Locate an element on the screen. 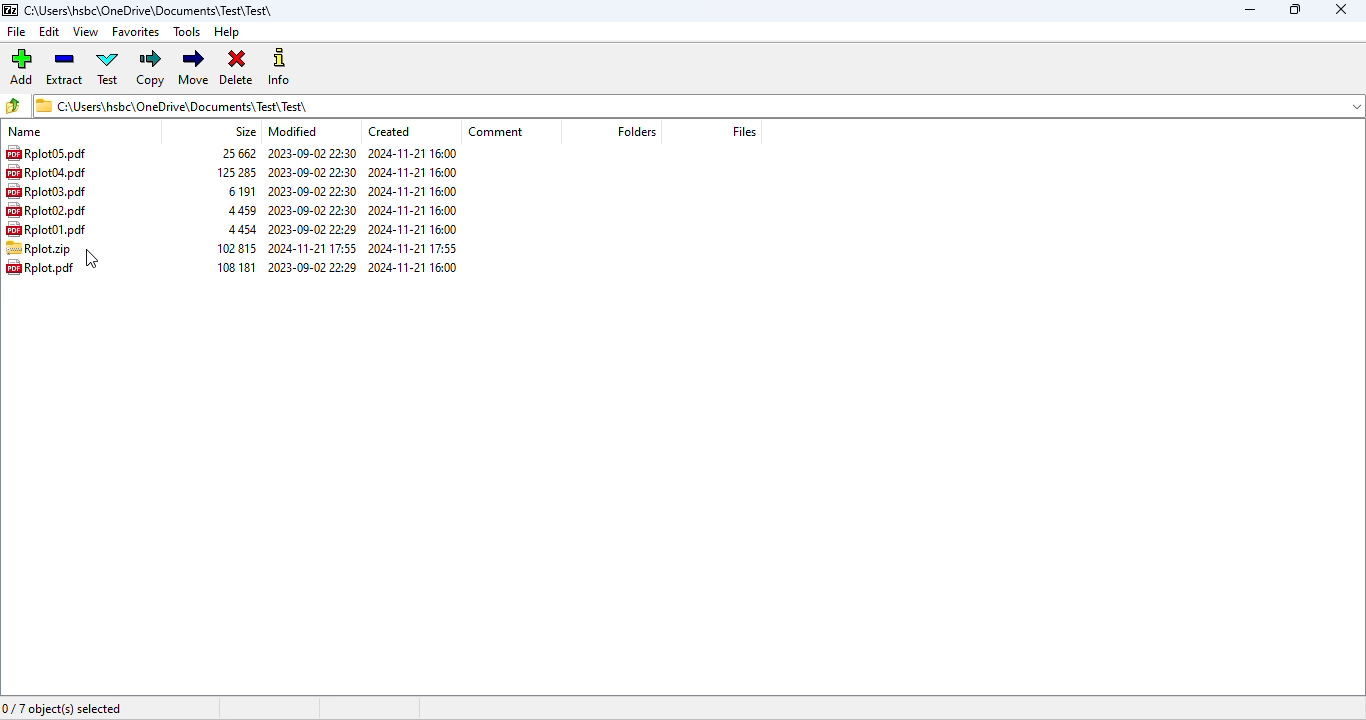 This screenshot has width=1366, height=720. 6191 is located at coordinates (240, 191).